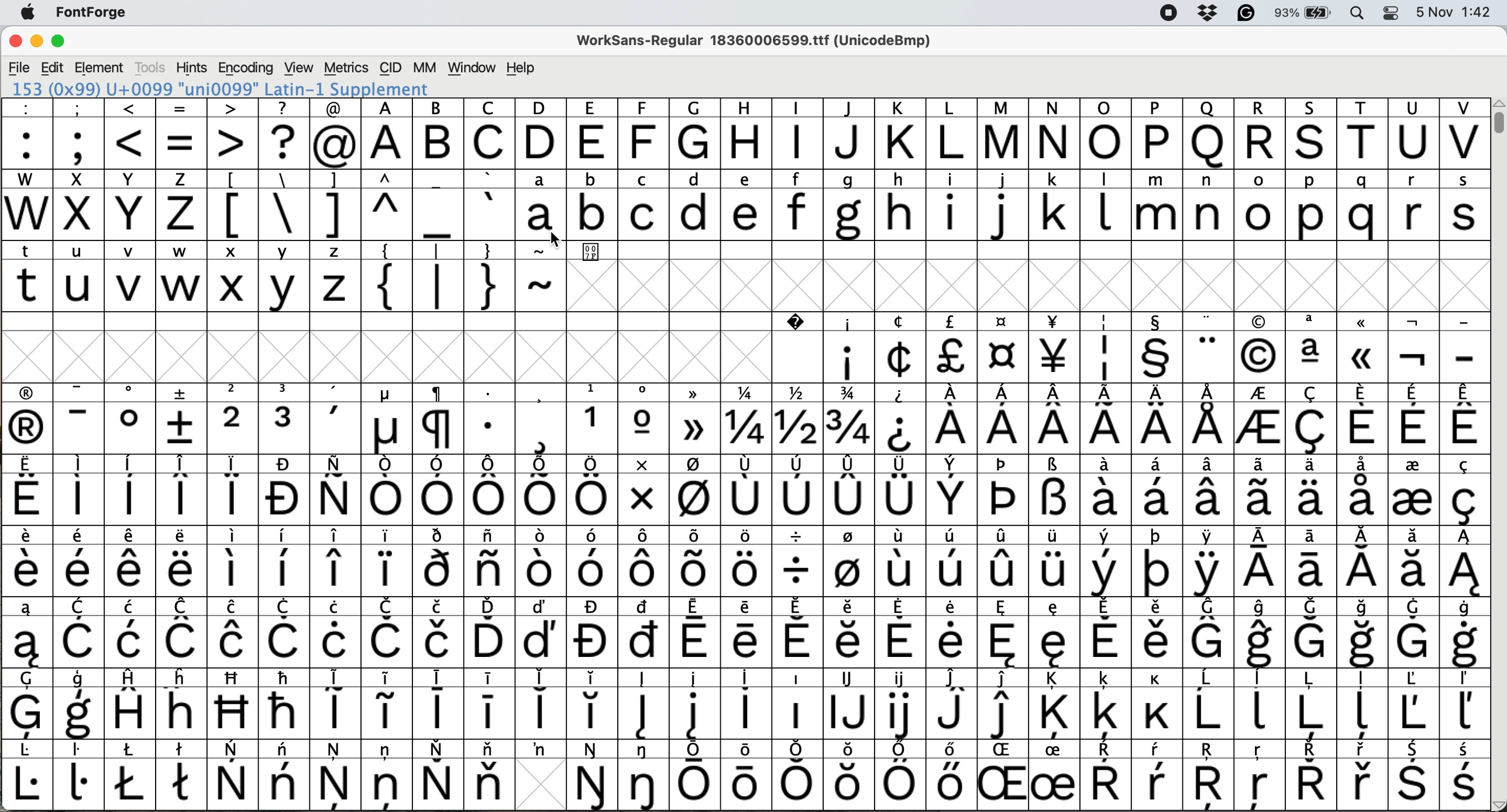  What do you see at coordinates (644, 632) in the screenshot?
I see `symbol` at bounding box center [644, 632].